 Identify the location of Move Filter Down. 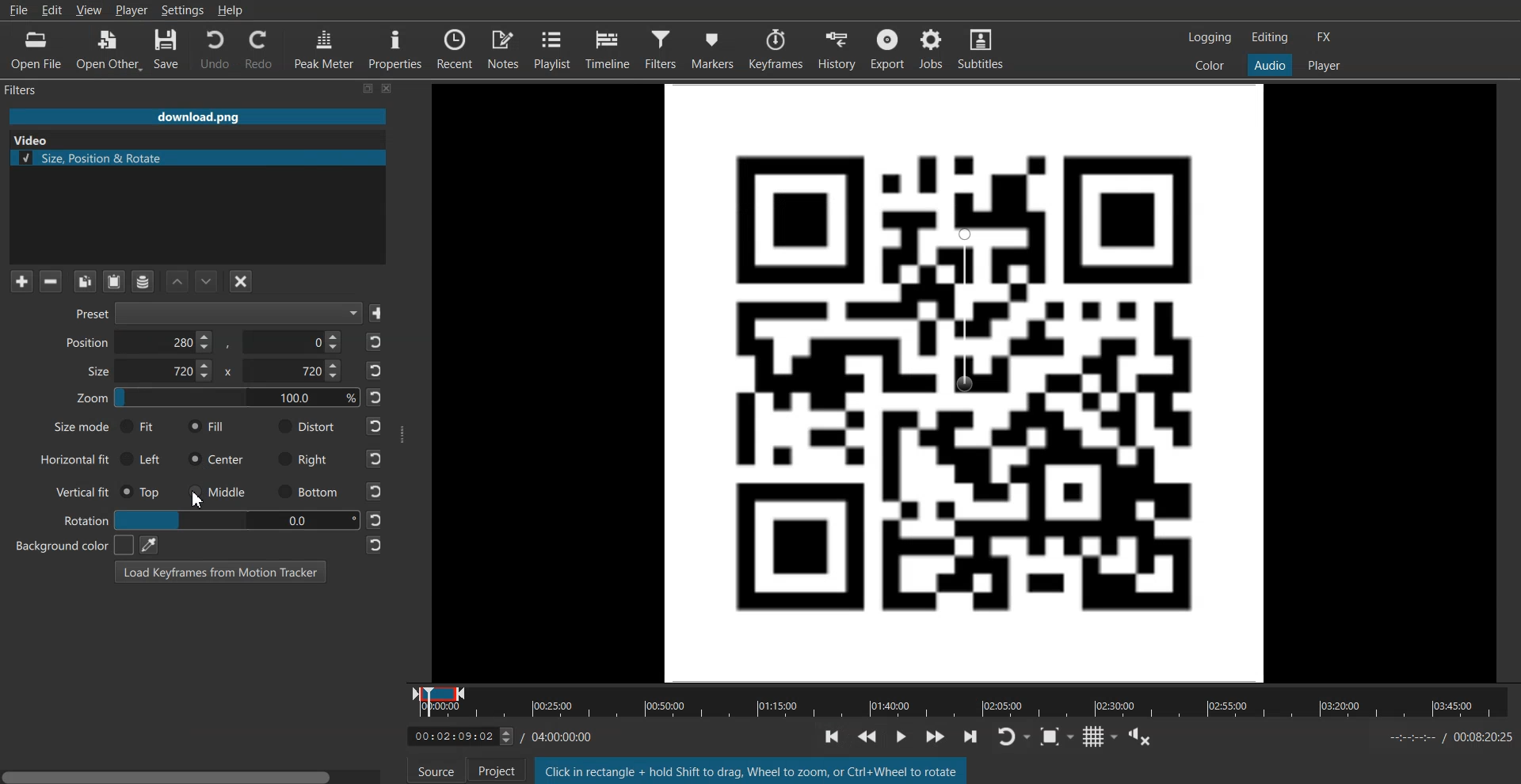
(207, 281).